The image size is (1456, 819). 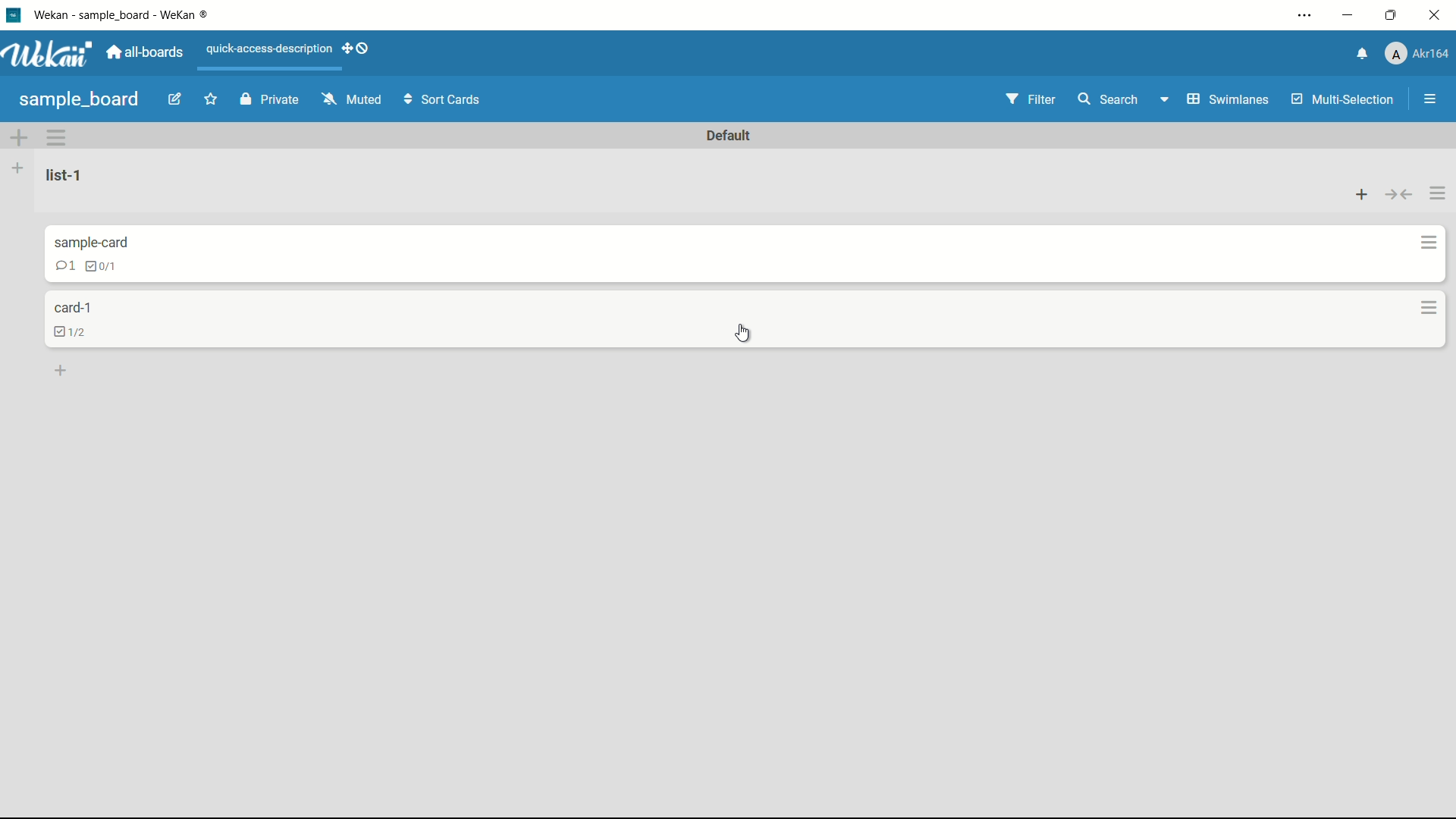 I want to click on checklist, so click(x=76, y=332).